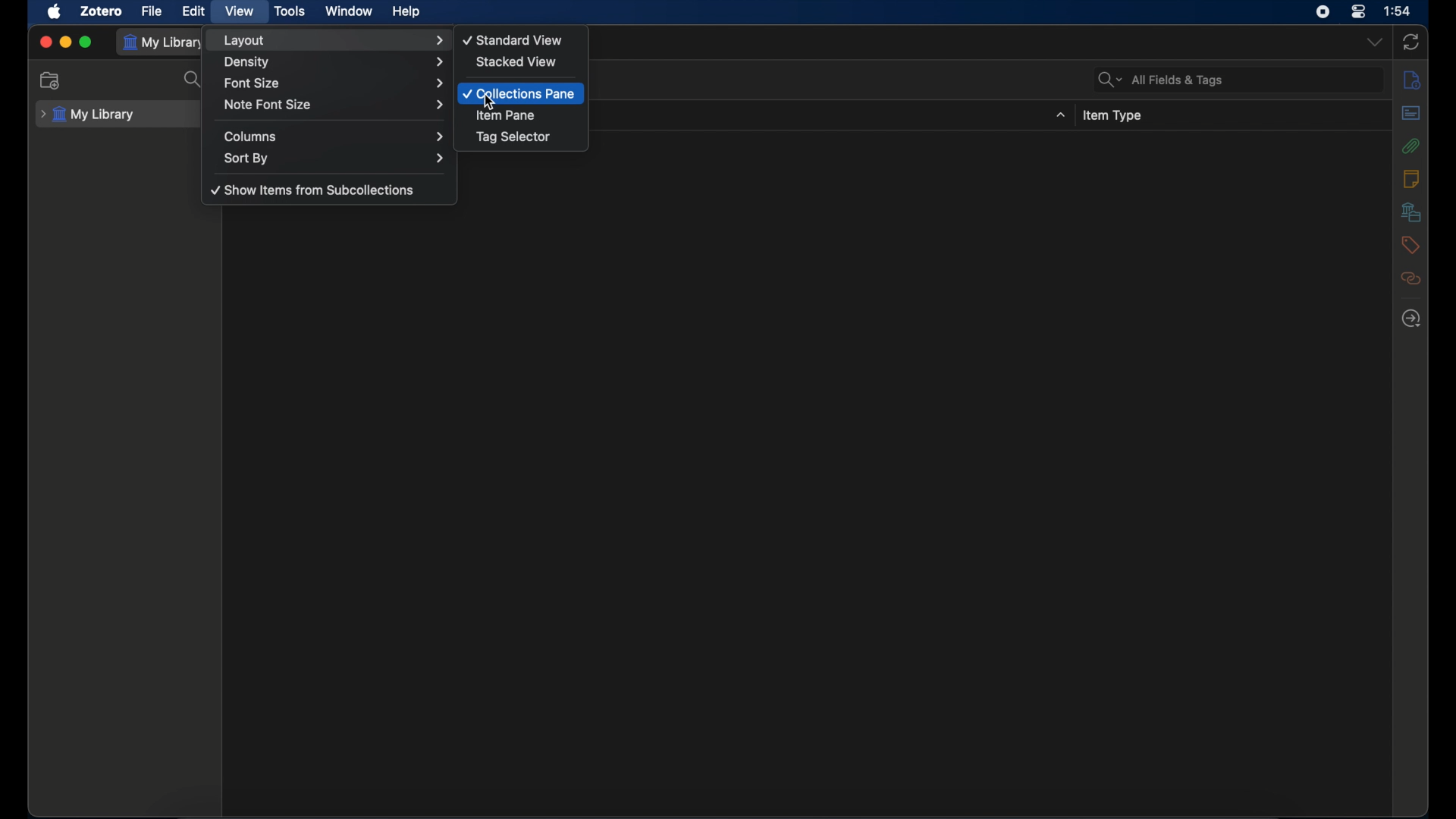 This screenshot has height=819, width=1456. What do you see at coordinates (165, 42) in the screenshot?
I see `my library` at bounding box center [165, 42].